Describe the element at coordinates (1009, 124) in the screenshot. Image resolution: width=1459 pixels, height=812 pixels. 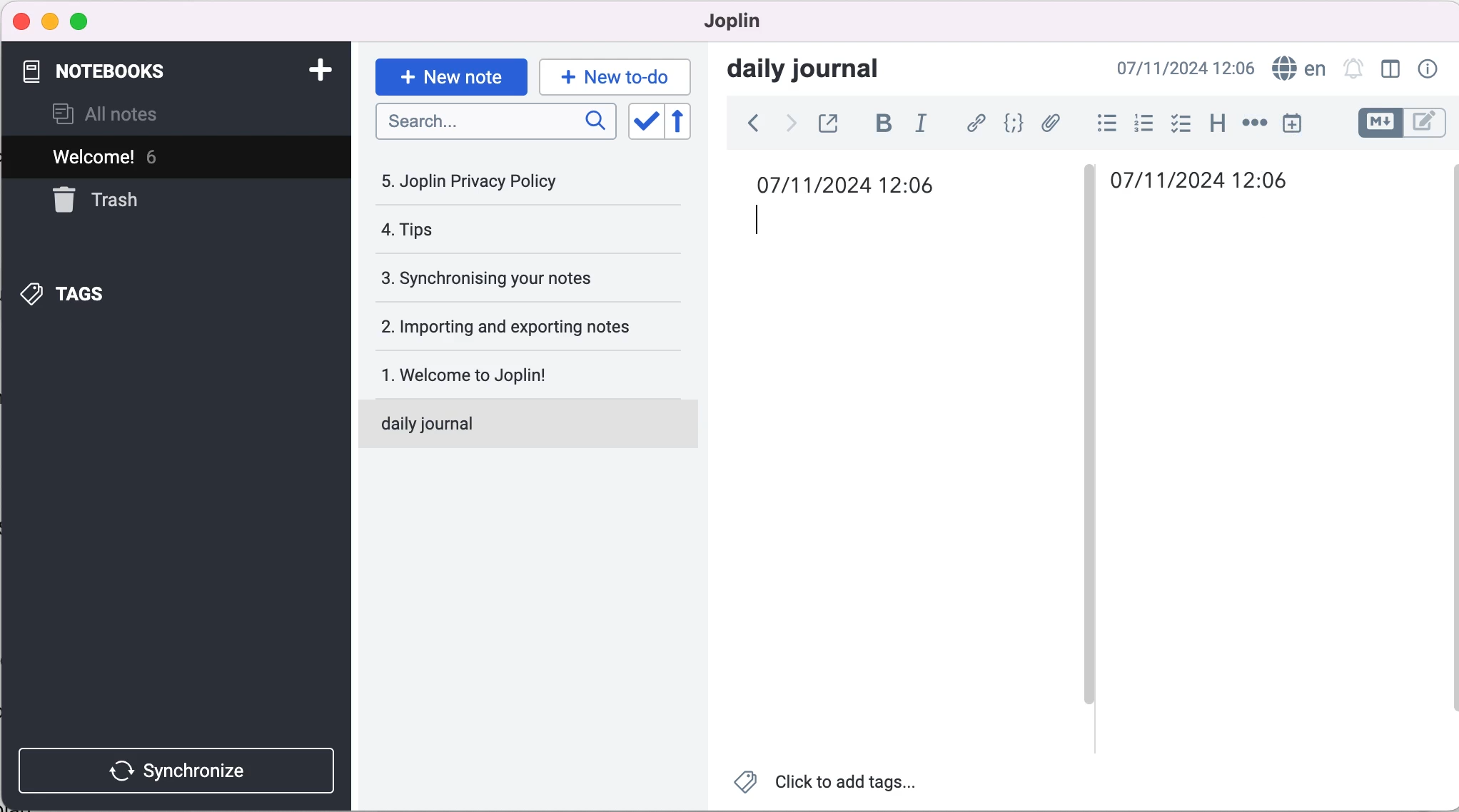
I see `code` at that location.